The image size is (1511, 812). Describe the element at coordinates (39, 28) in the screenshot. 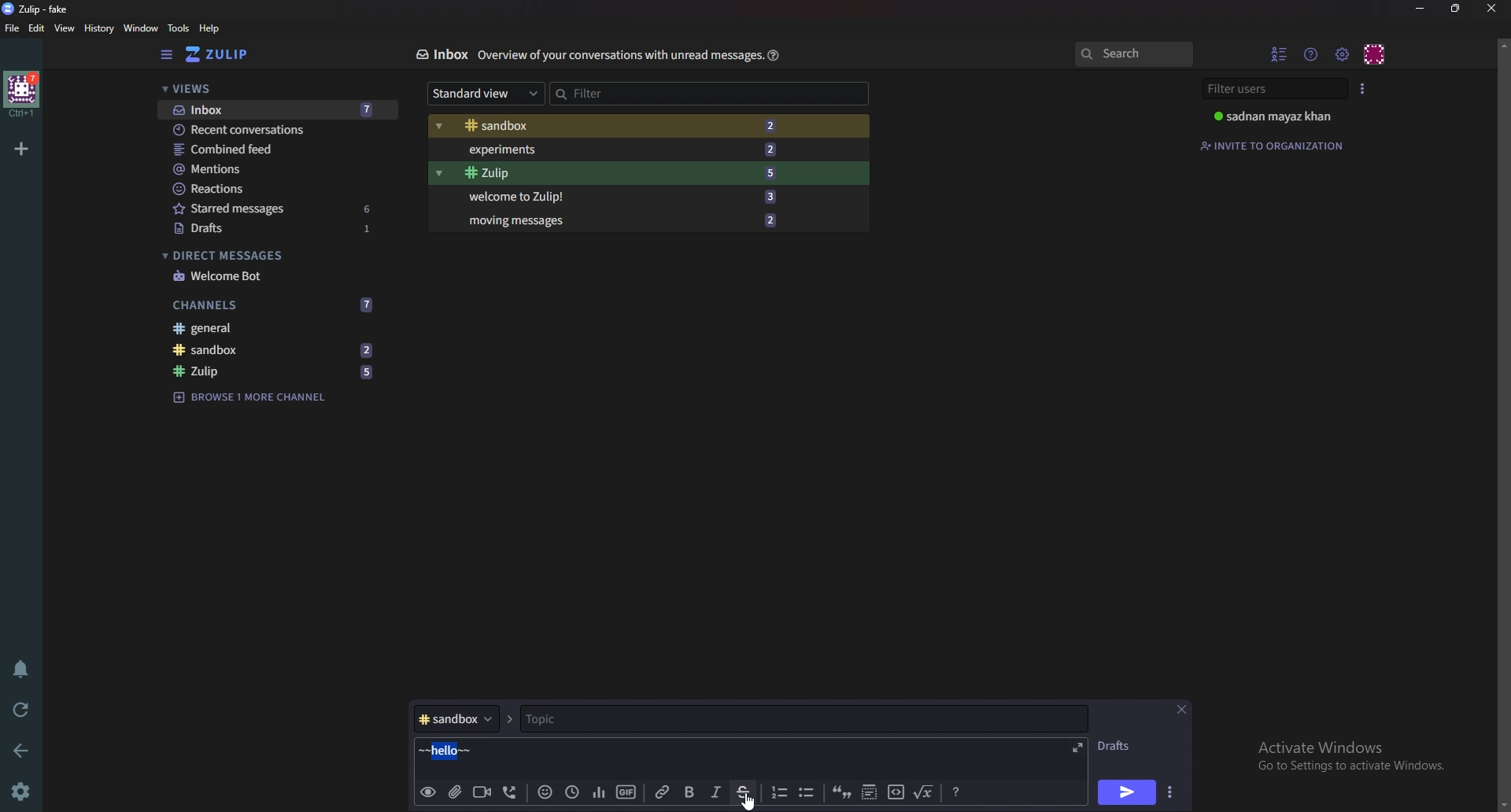

I see `Edit` at that location.